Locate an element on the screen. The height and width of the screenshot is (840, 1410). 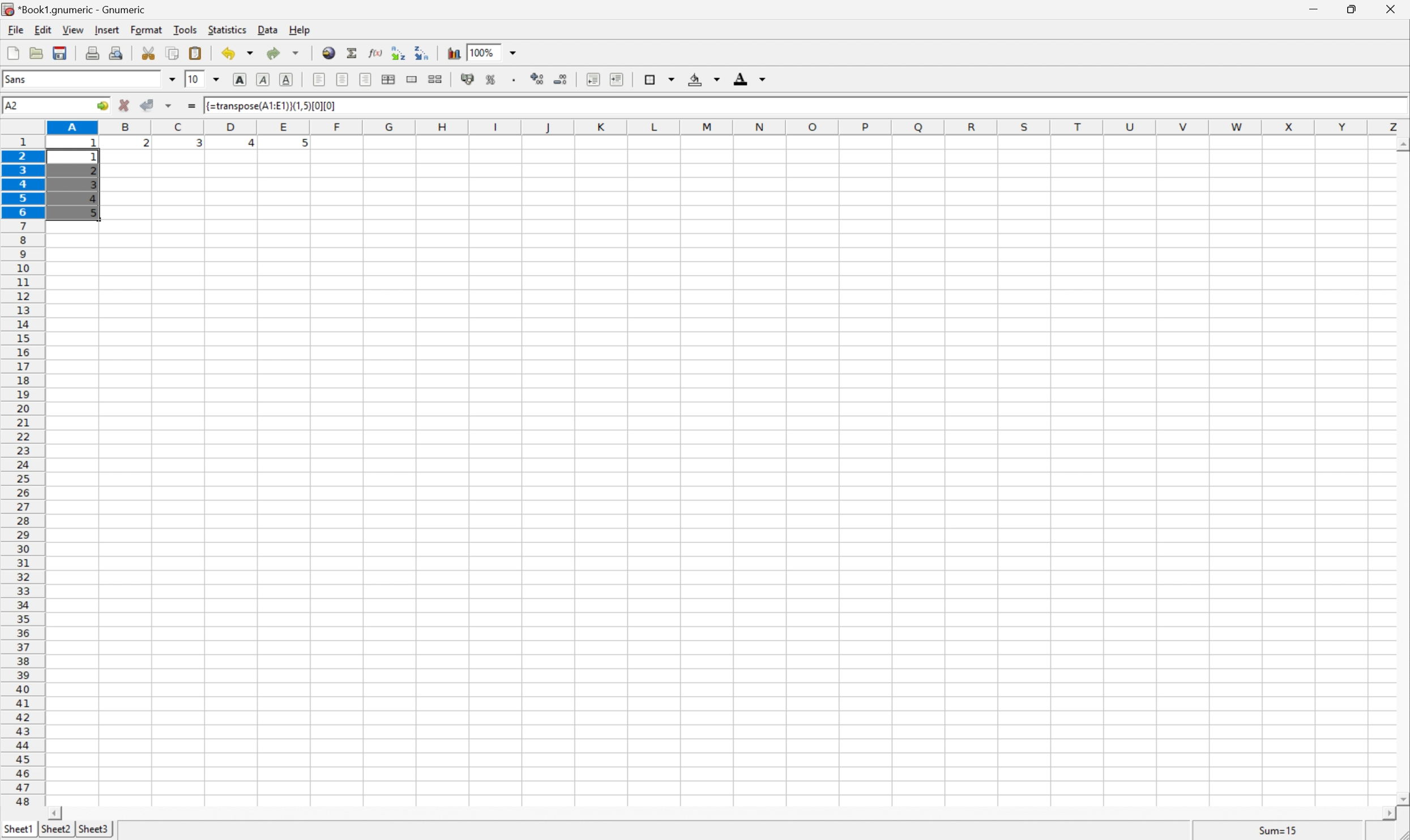
align left is located at coordinates (320, 79).